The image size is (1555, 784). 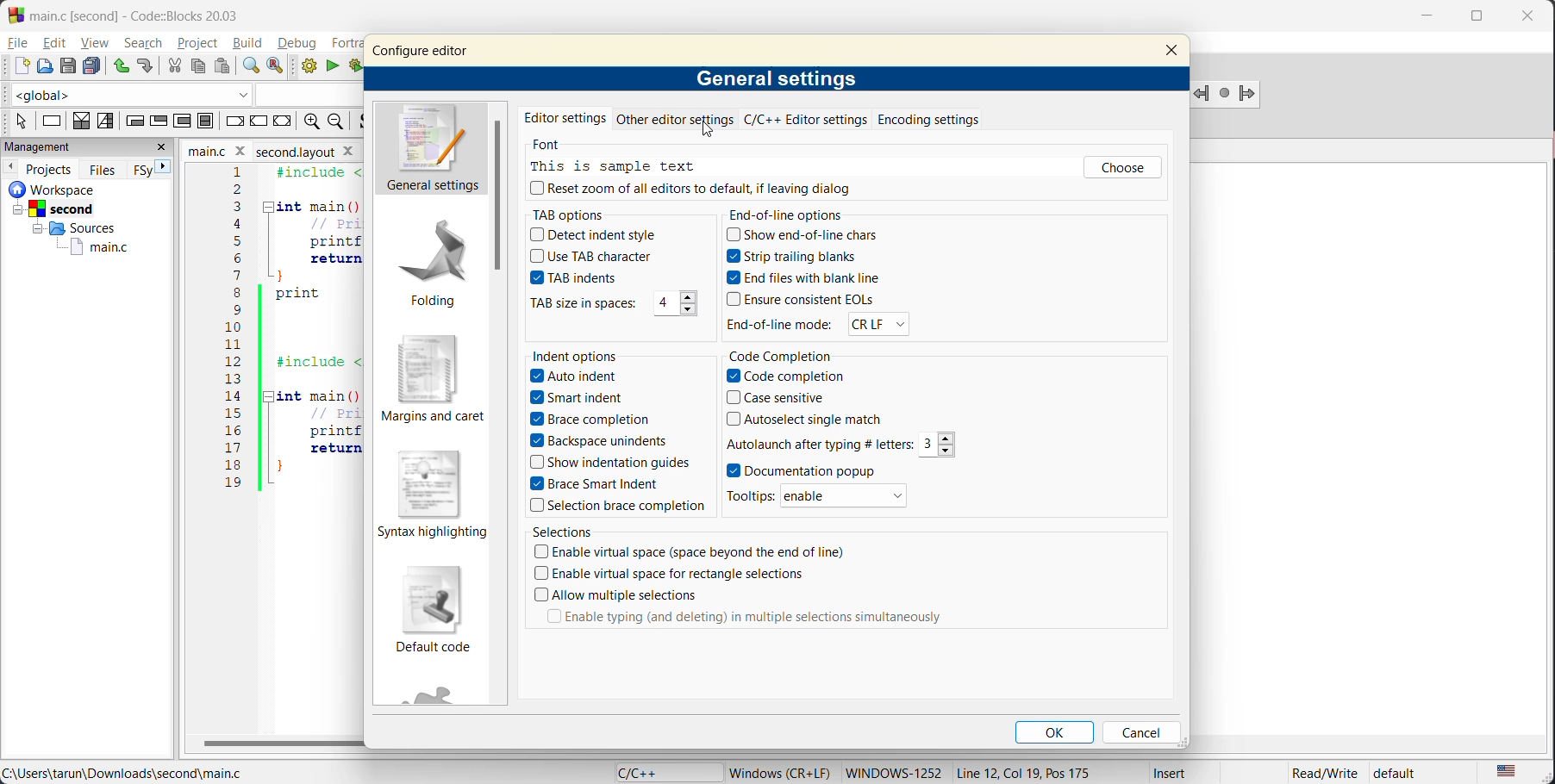 I want to click on general settings, so click(x=779, y=78).